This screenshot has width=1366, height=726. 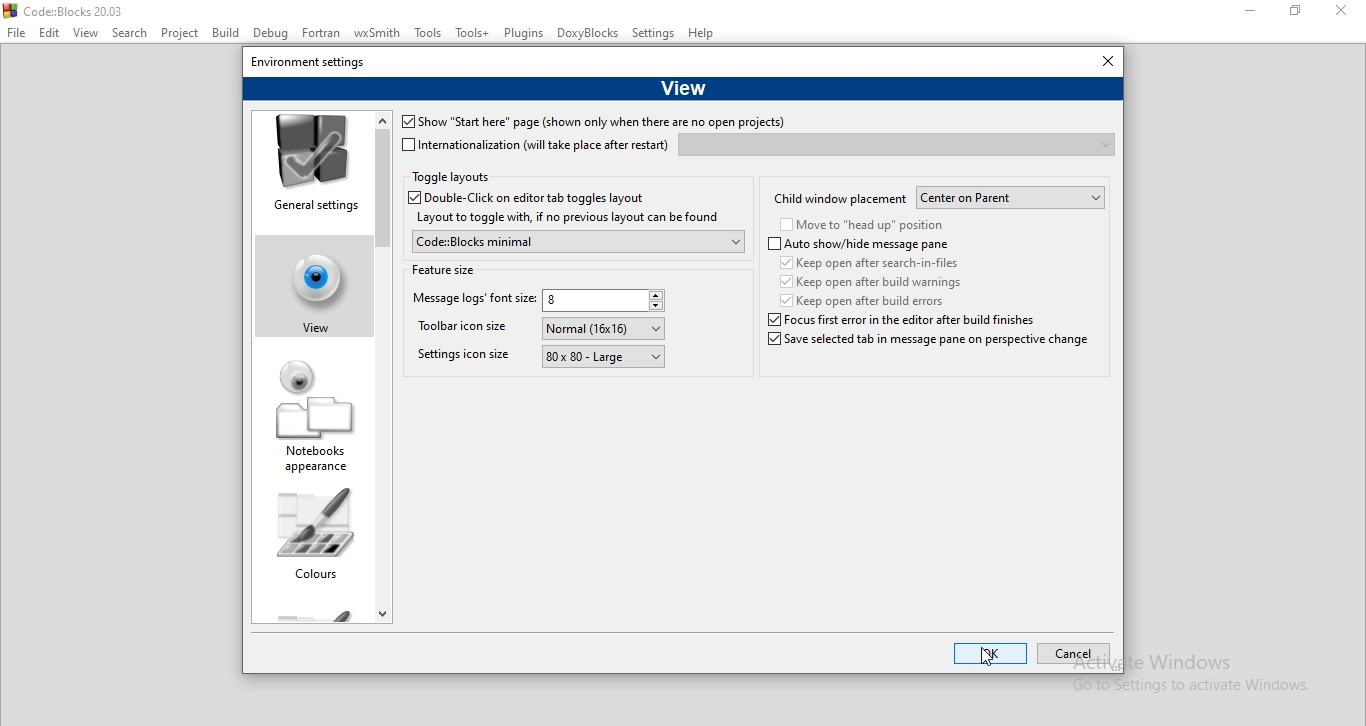 What do you see at coordinates (604, 358) in the screenshot?
I see `80x80 large` at bounding box center [604, 358].